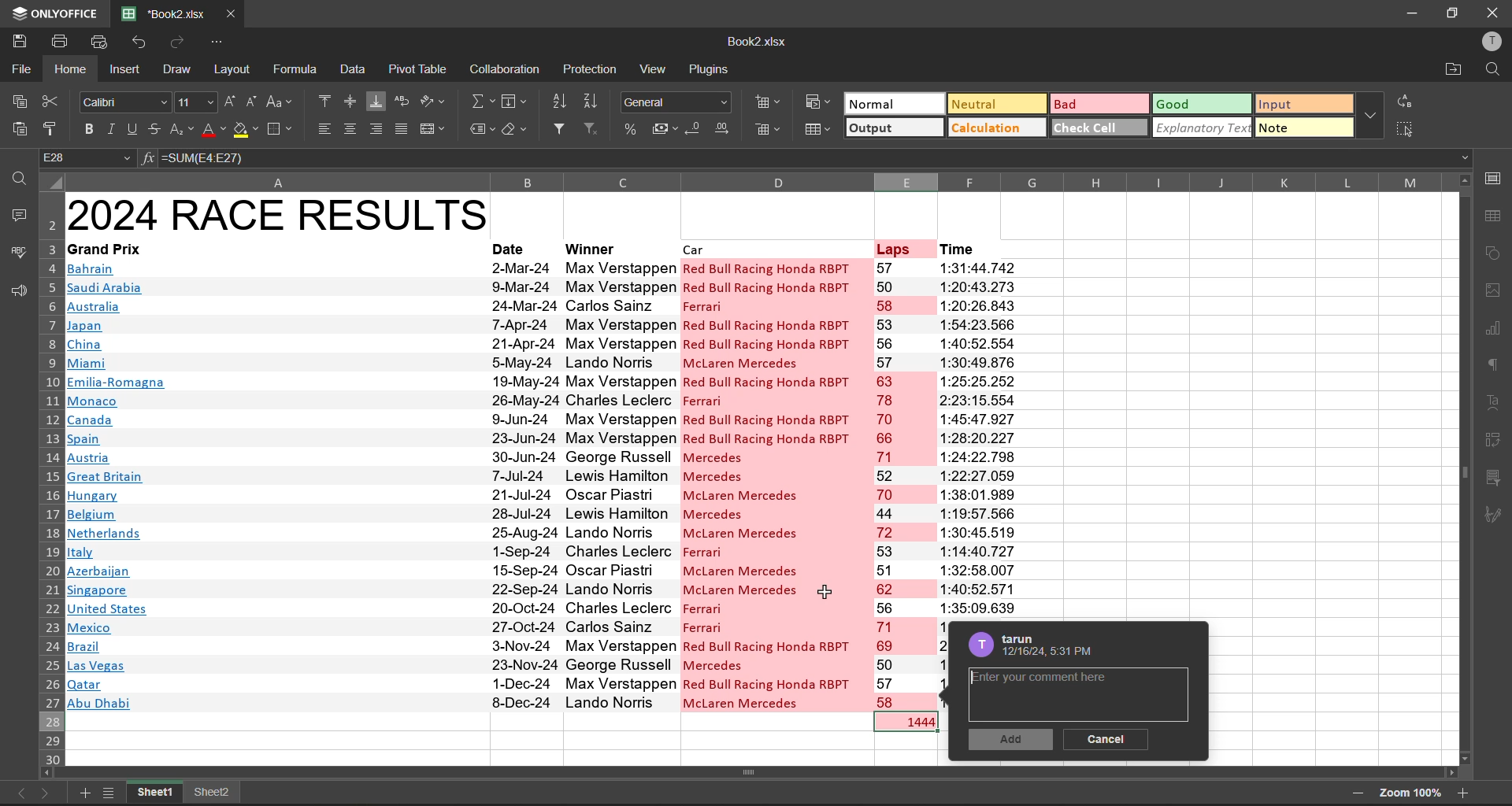 This screenshot has height=806, width=1512. What do you see at coordinates (294, 69) in the screenshot?
I see `formula` at bounding box center [294, 69].